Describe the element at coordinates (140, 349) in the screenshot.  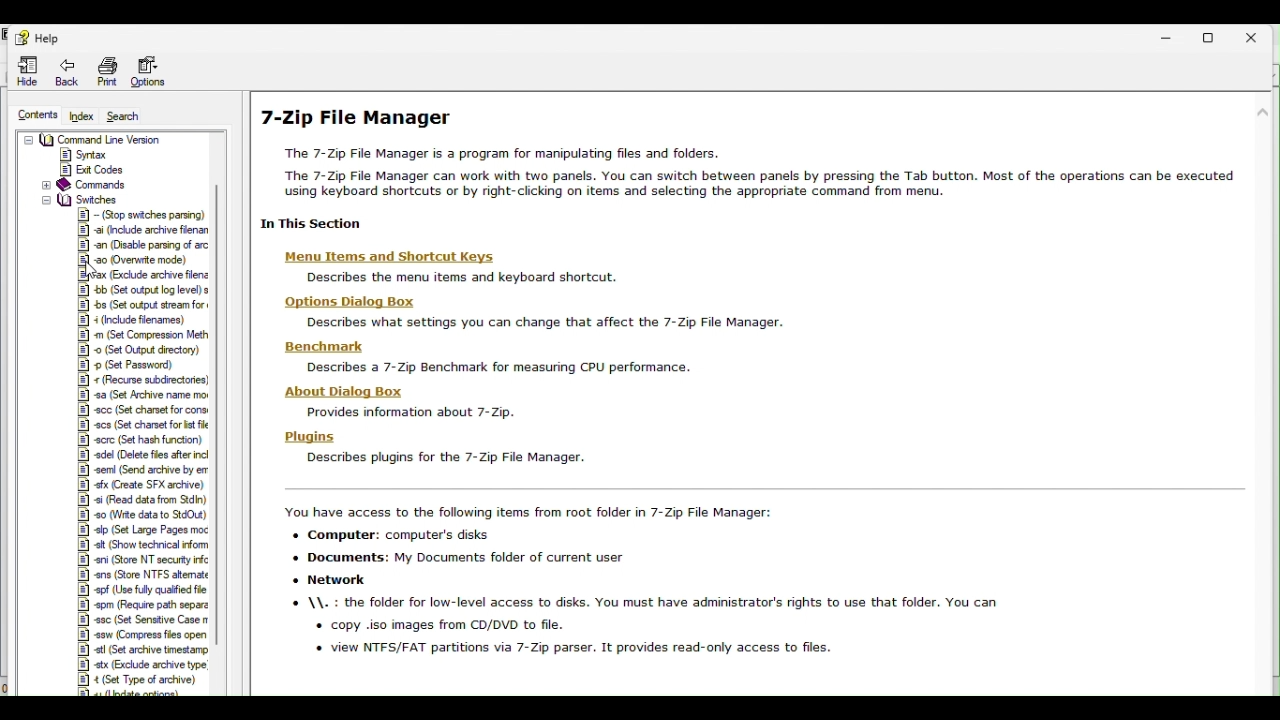
I see `8] © (Set Output directory)` at that location.